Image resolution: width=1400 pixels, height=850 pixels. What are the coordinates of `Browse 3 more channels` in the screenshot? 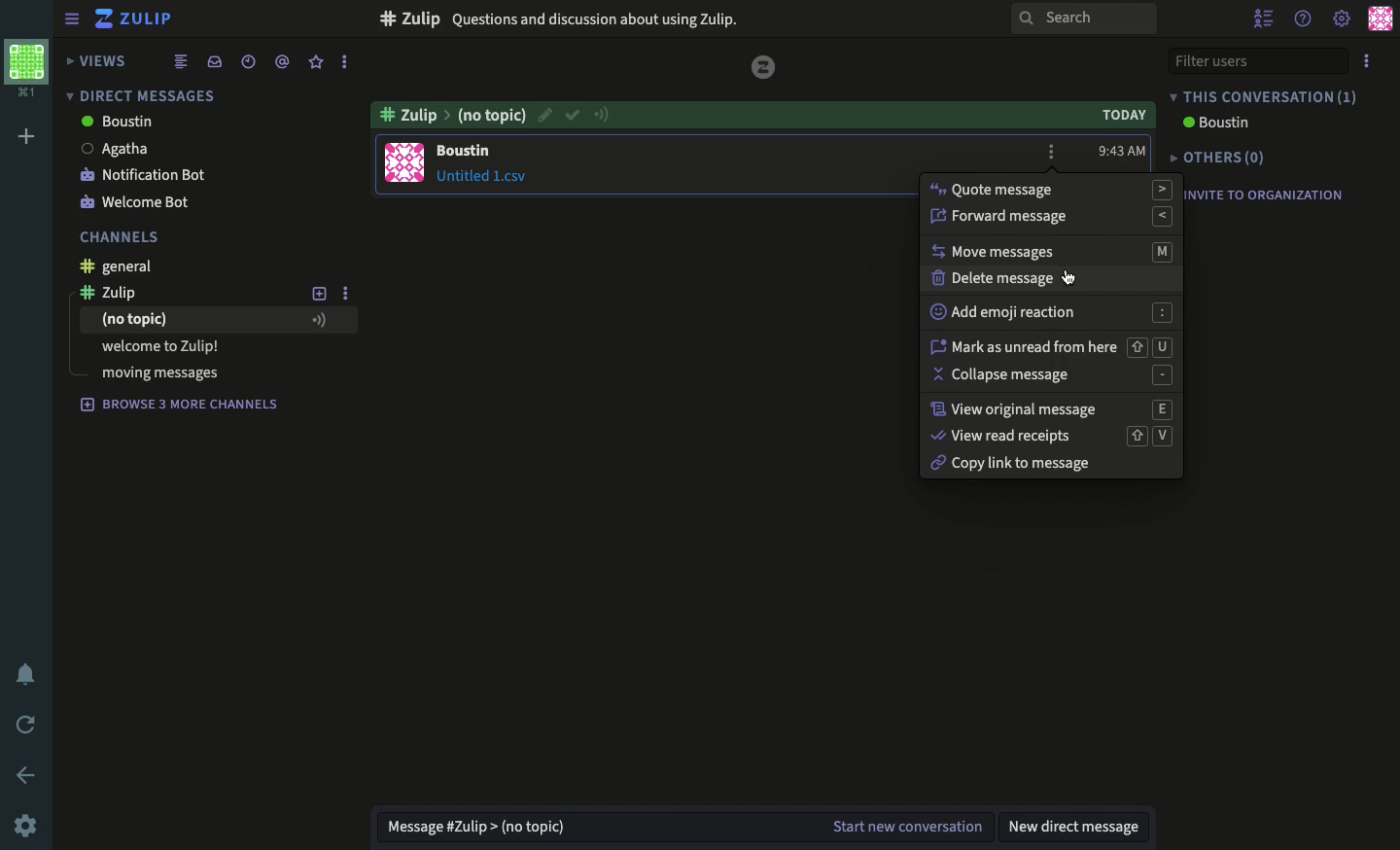 It's located at (181, 406).